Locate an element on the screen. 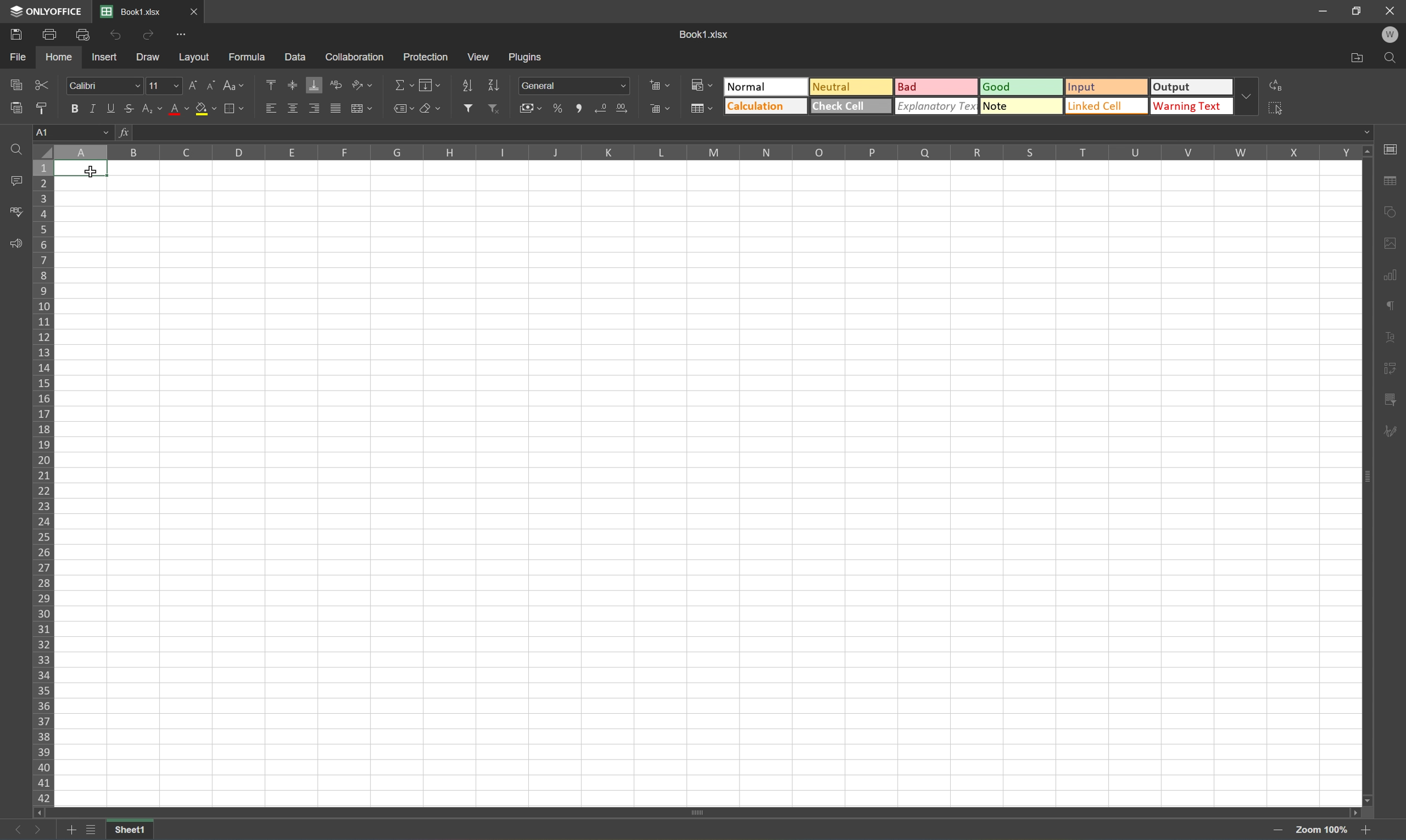 Image resolution: width=1406 pixels, height=840 pixels. Align left is located at coordinates (270, 109).